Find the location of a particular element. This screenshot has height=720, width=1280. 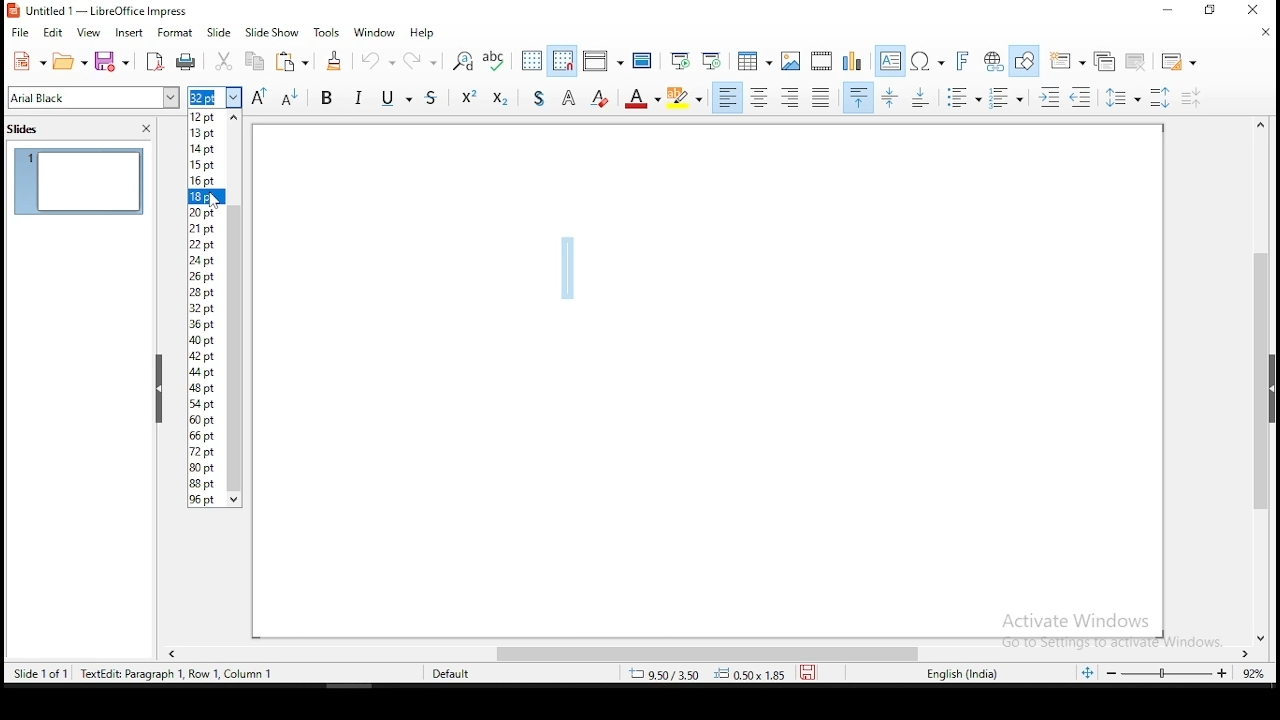

Increase font size is located at coordinates (258, 97).